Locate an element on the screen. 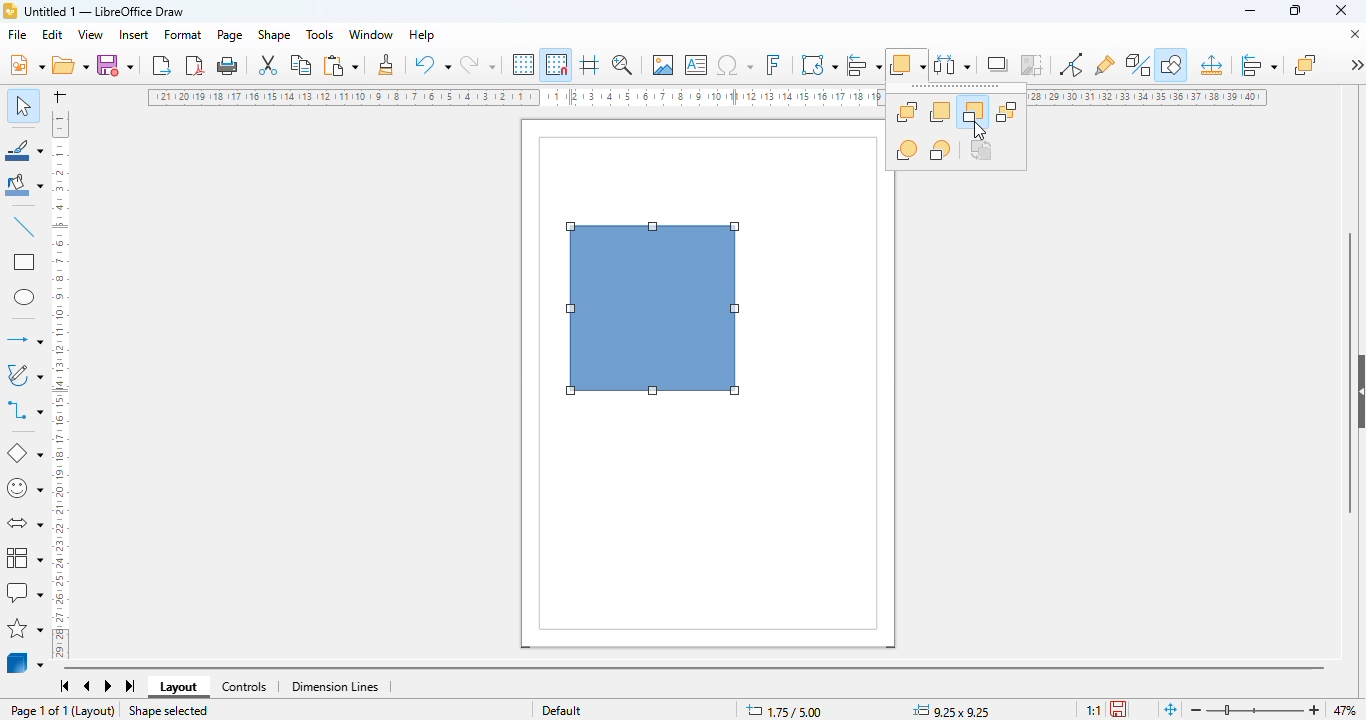 The height and width of the screenshot is (720, 1366). cut is located at coordinates (269, 65).